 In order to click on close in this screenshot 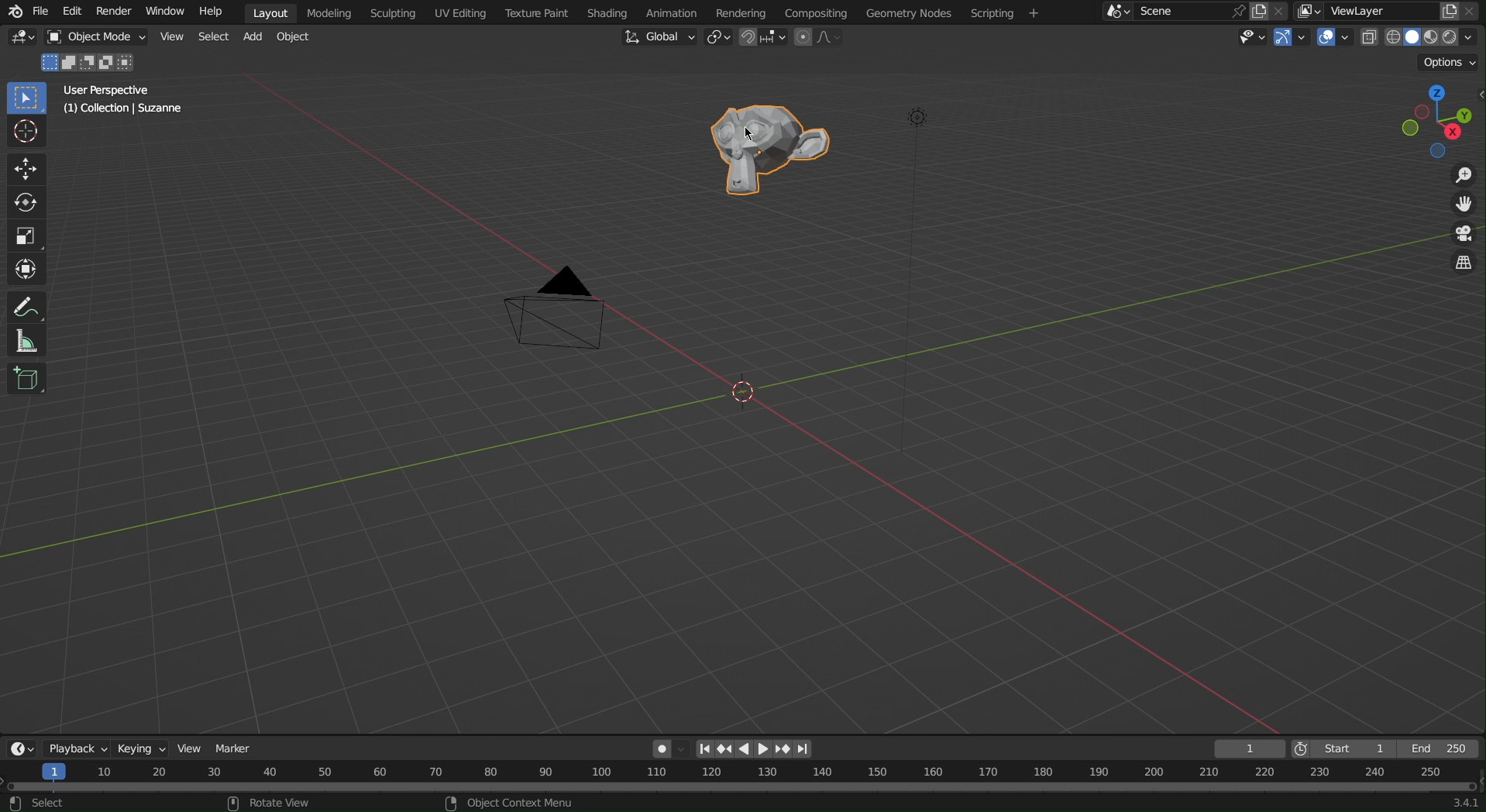, I will do `click(1281, 11)`.